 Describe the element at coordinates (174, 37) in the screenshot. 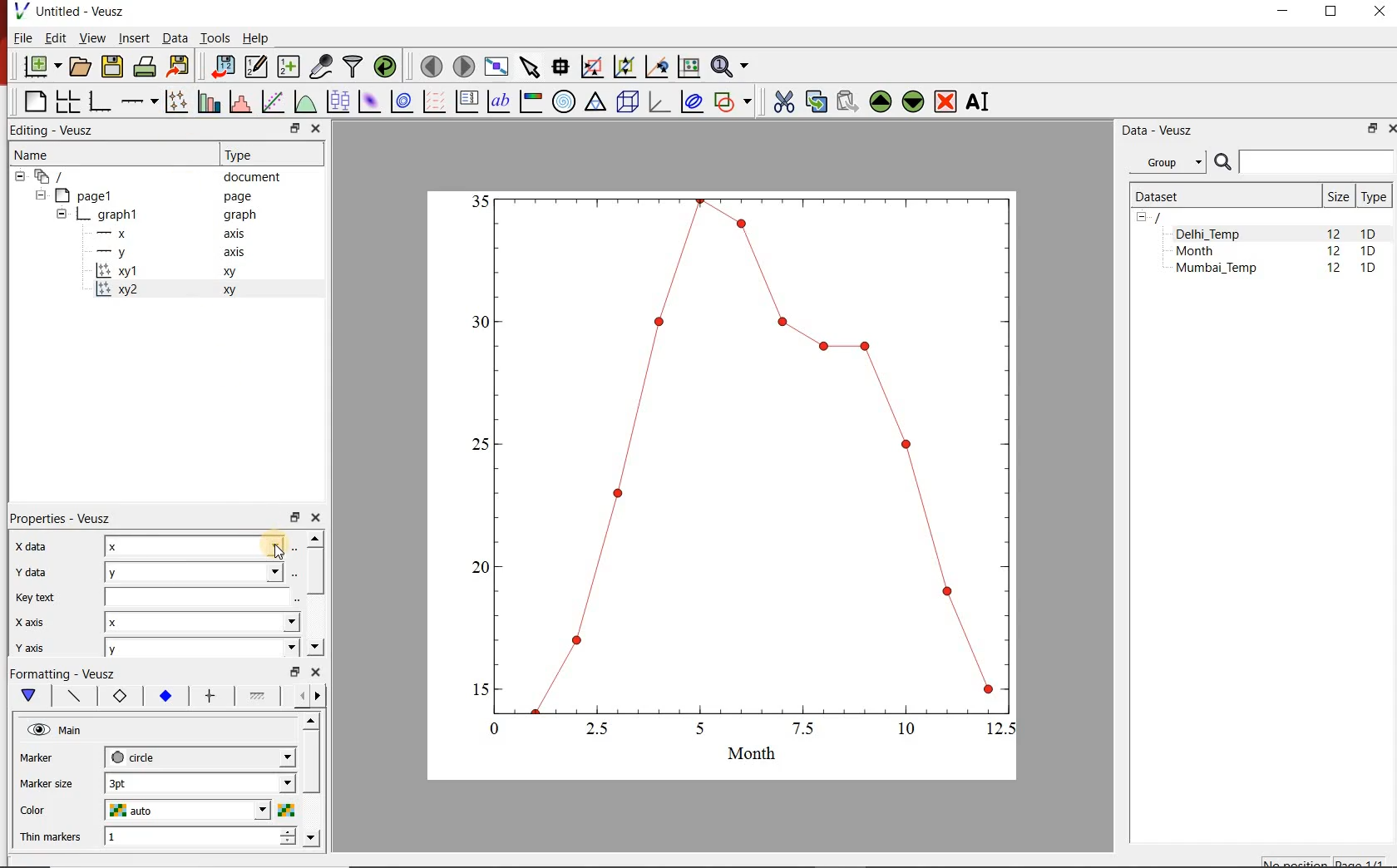

I see `Data` at that location.